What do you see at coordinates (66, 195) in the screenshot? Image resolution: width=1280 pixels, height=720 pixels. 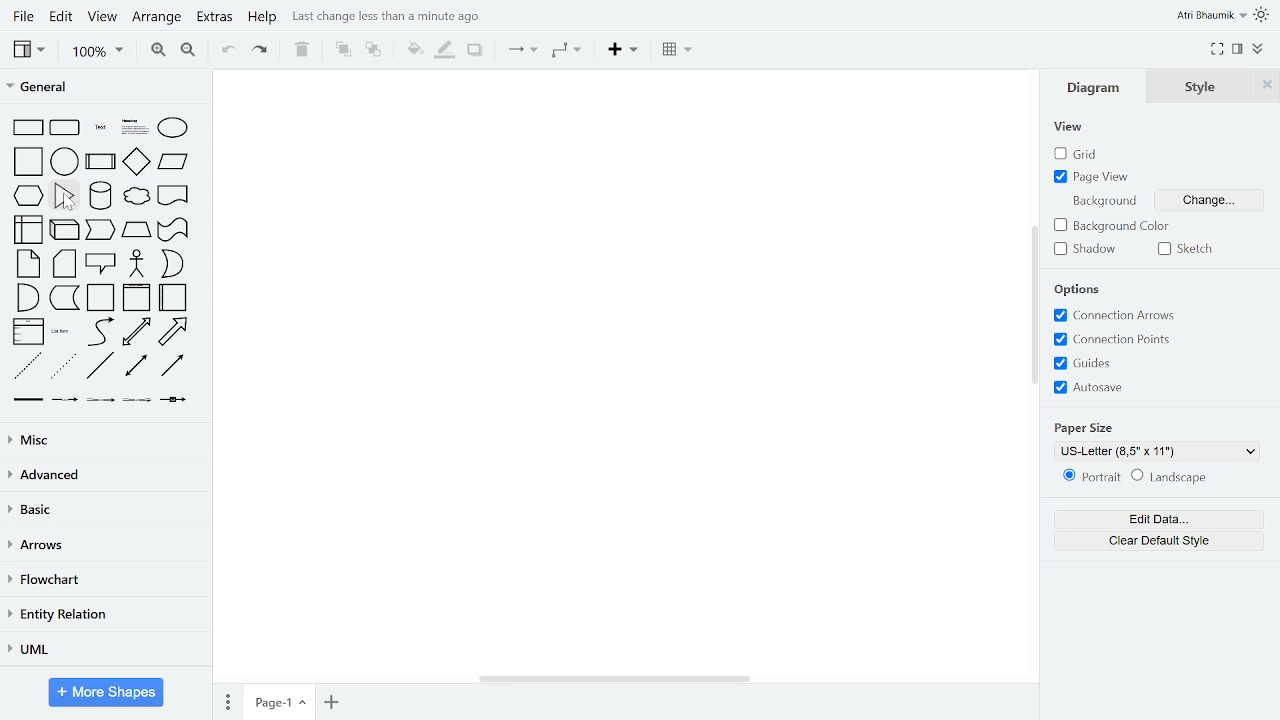 I see `triangle` at bounding box center [66, 195].